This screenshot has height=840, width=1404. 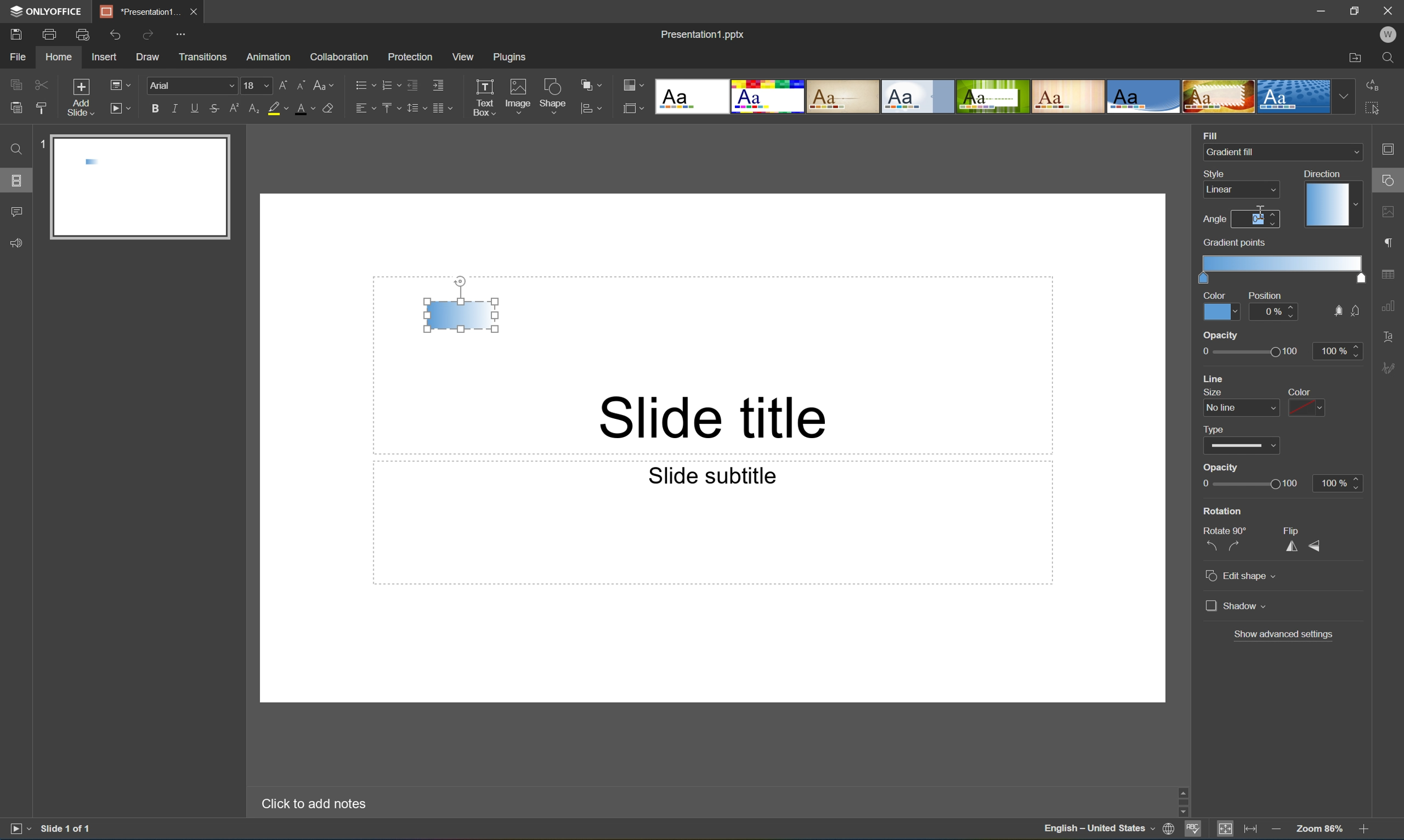 I want to click on Zoom out, so click(x=1275, y=829).